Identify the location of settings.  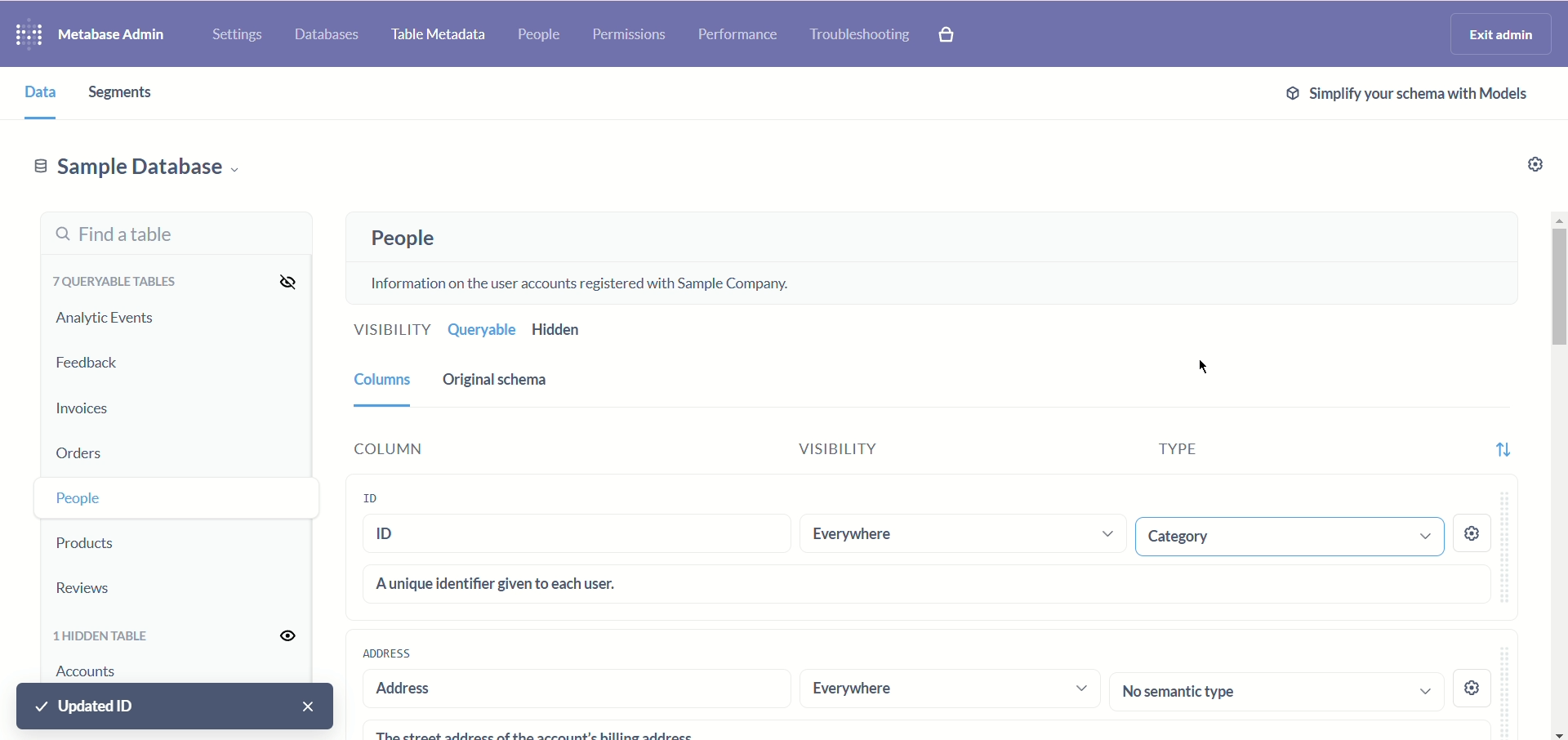
(1474, 684).